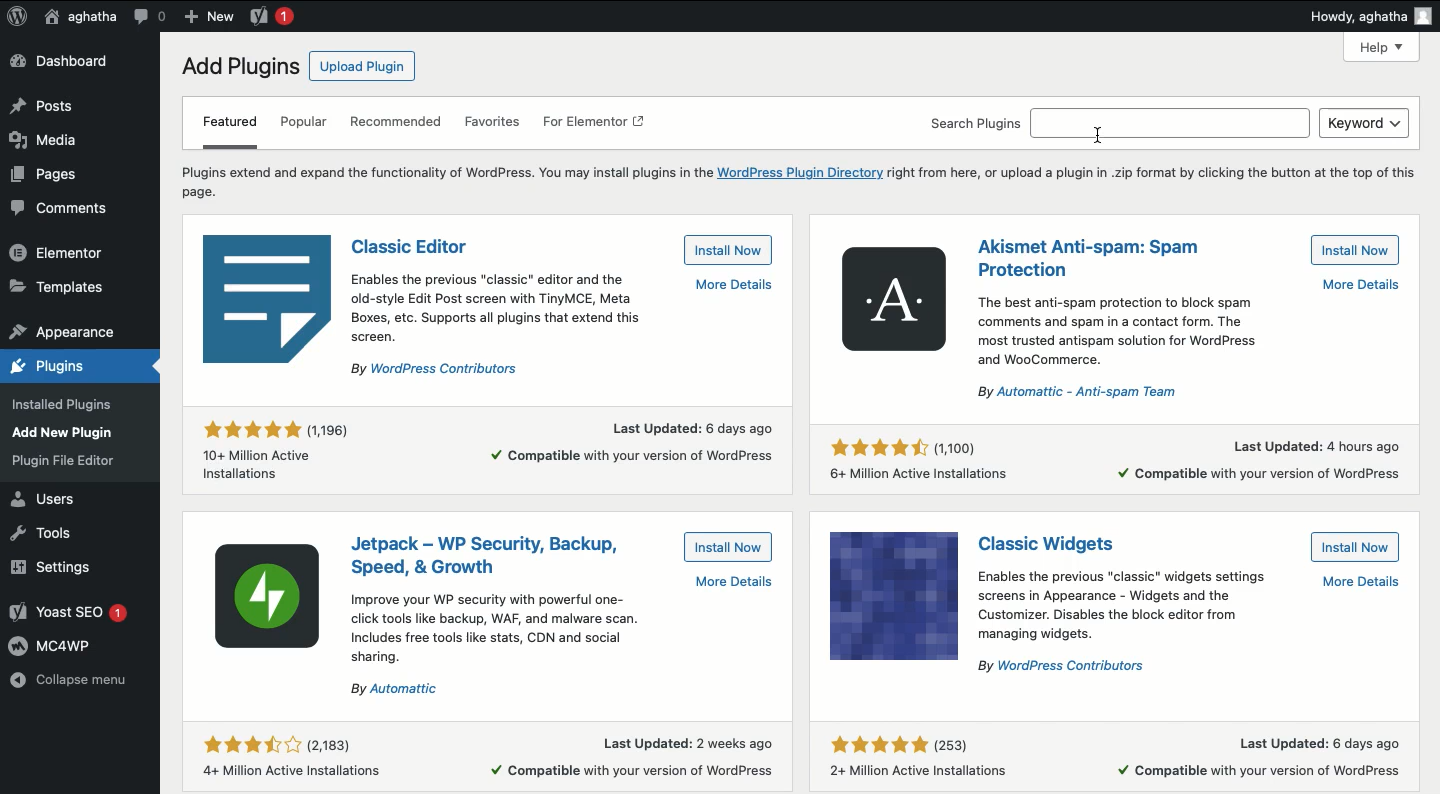 The width and height of the screenshot is (1440, 794). Describe the element at coordinates (1191, 620) in the screenshot. I see `Enables the previous "classic" widgets settings Mo
screens in Appearance - Widgets and the

Customize. Disables the block editor from

managing widgets.

By WordPress Contributors` at that location.